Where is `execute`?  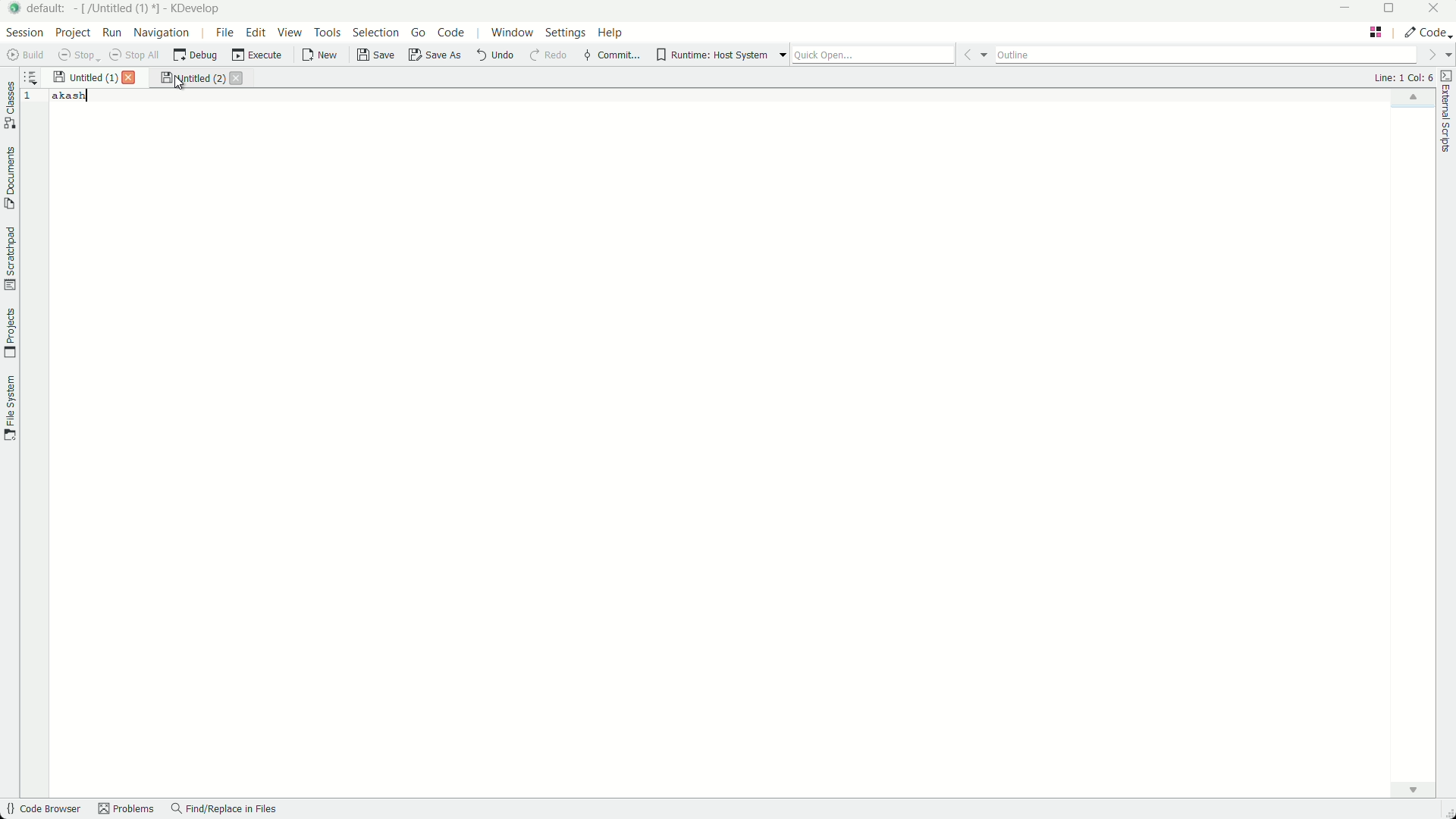 execute is located at coordinates (256, 56).